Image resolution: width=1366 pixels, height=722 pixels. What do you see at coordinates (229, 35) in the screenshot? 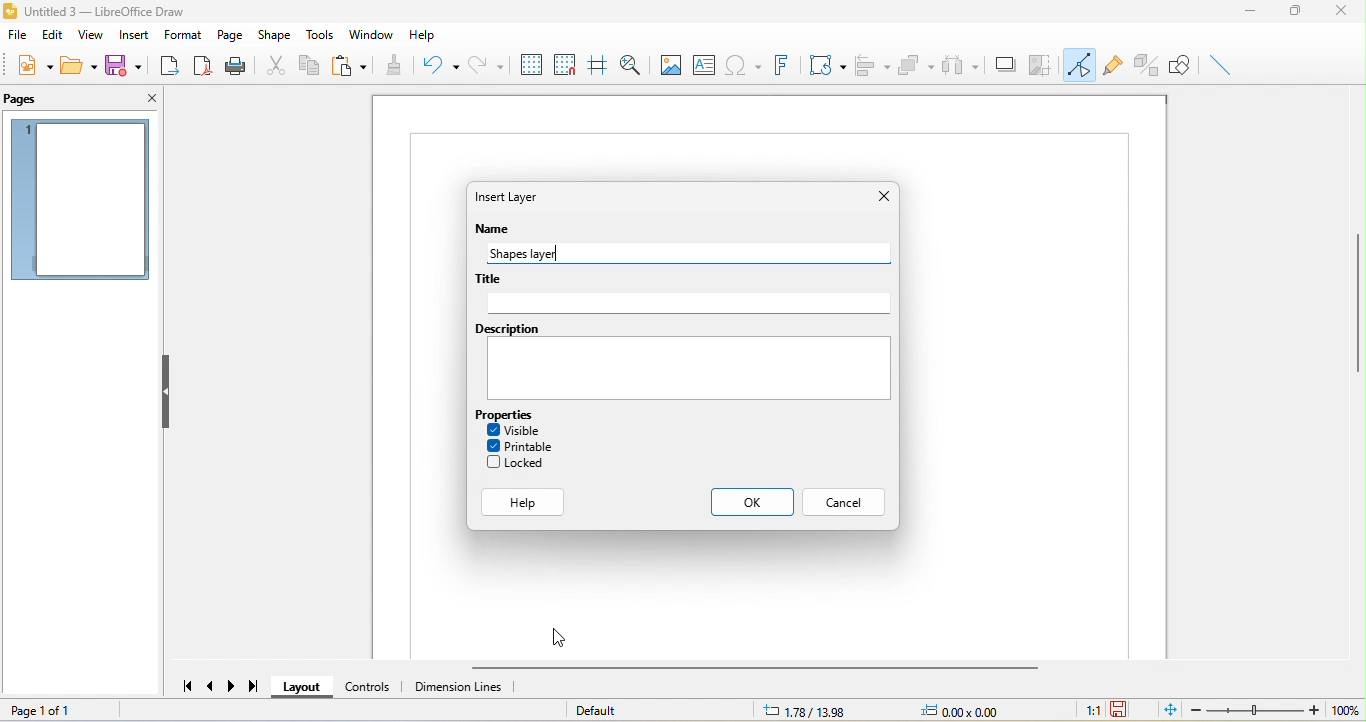
I see `page` at bounding box center [229, 35].